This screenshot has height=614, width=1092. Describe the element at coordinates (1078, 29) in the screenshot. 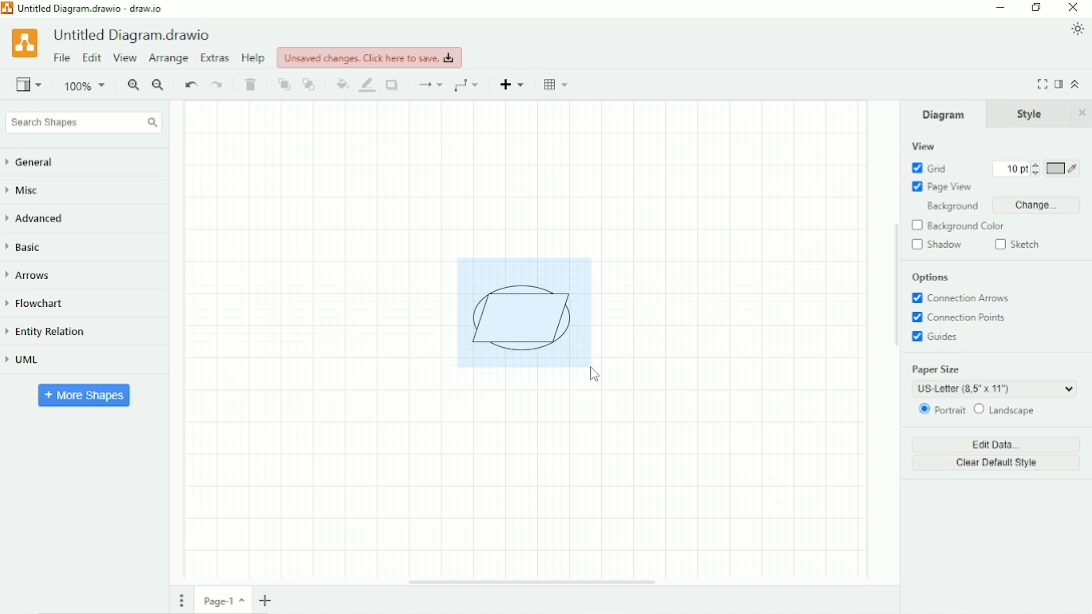

I see `Appearance` at that location.